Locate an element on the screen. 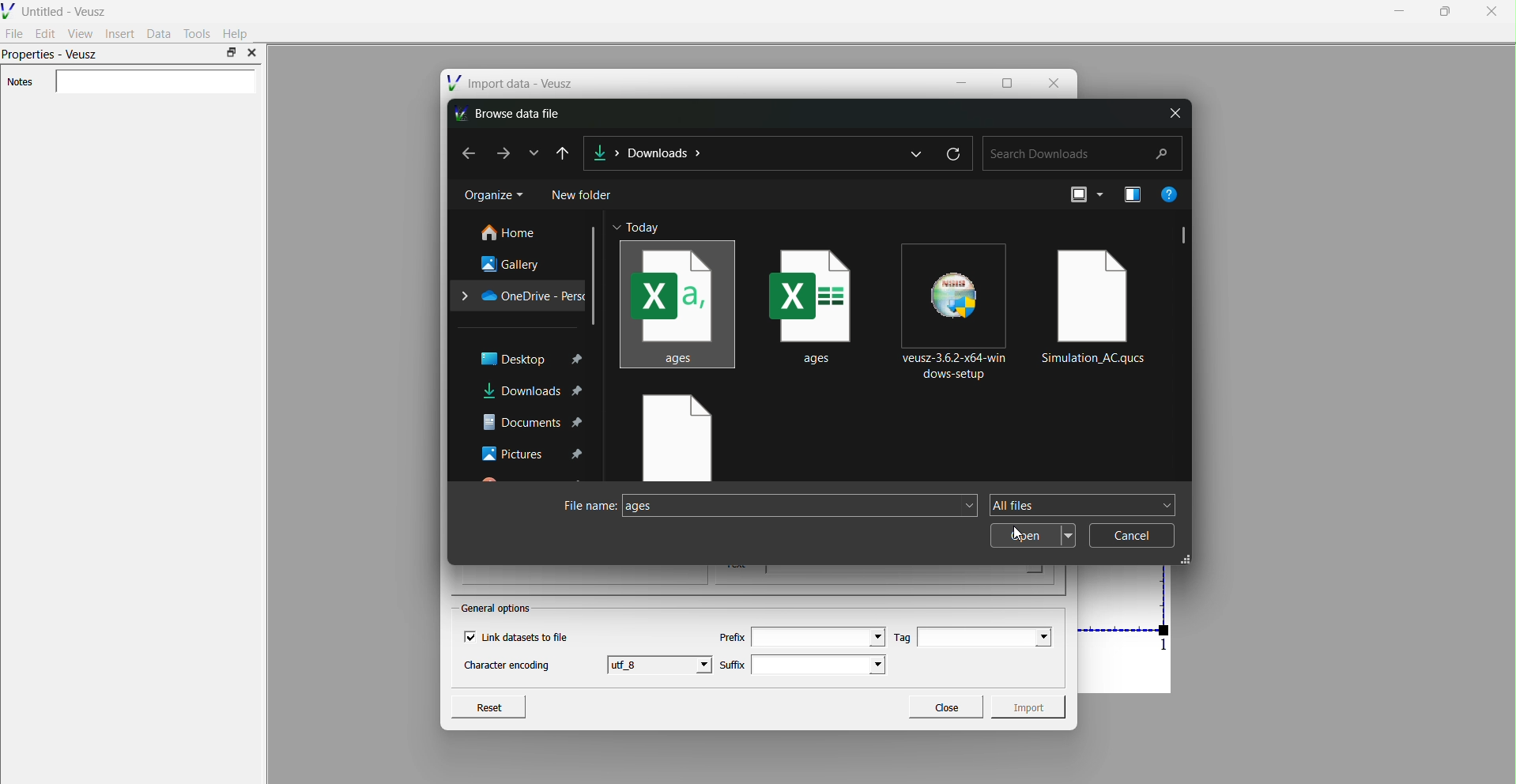 This screenshot has width=1516, height=784. General options. is located at coordinates (498, 609).